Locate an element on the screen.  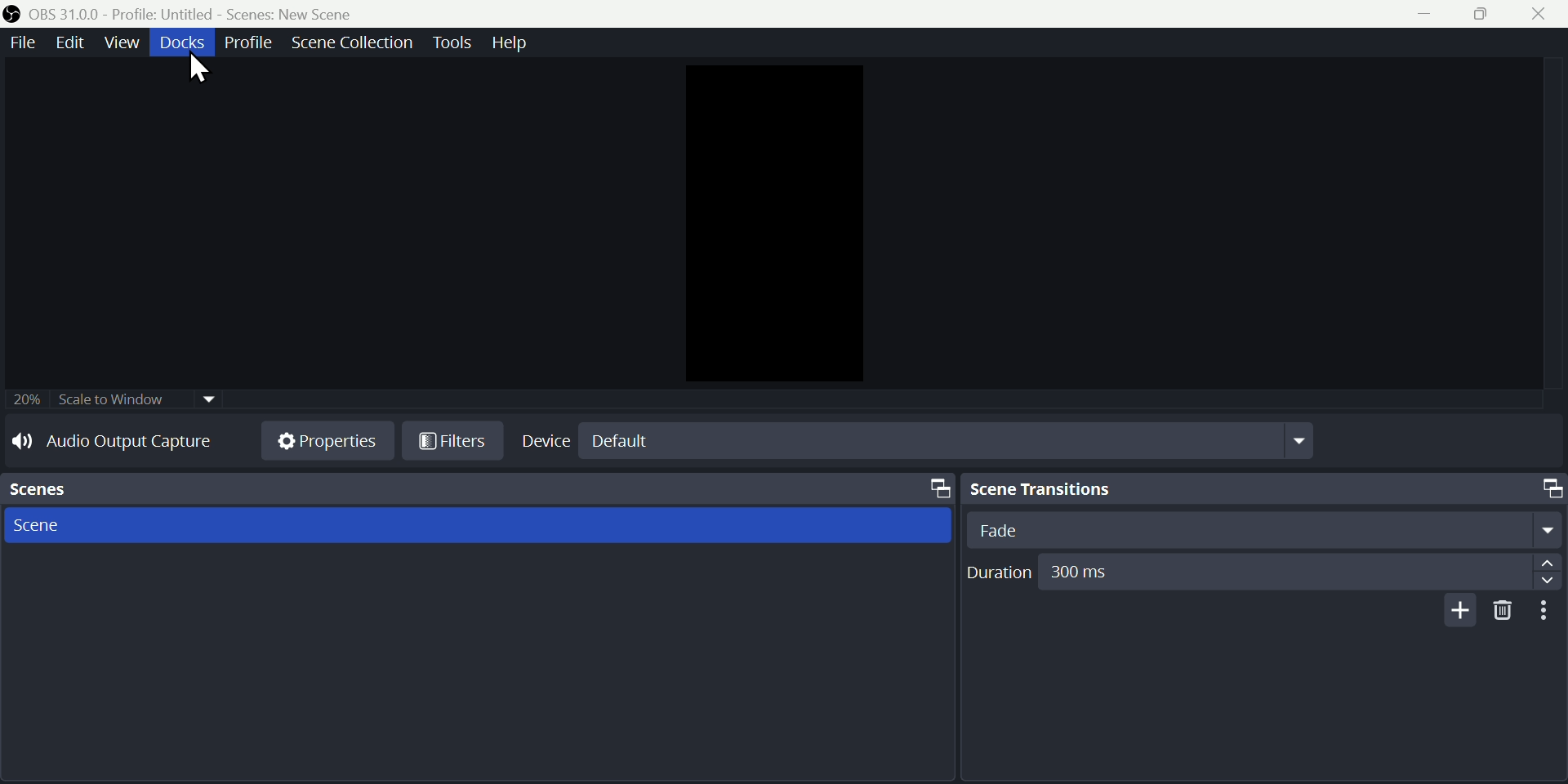
Profile is located at coordinates (247, 43).